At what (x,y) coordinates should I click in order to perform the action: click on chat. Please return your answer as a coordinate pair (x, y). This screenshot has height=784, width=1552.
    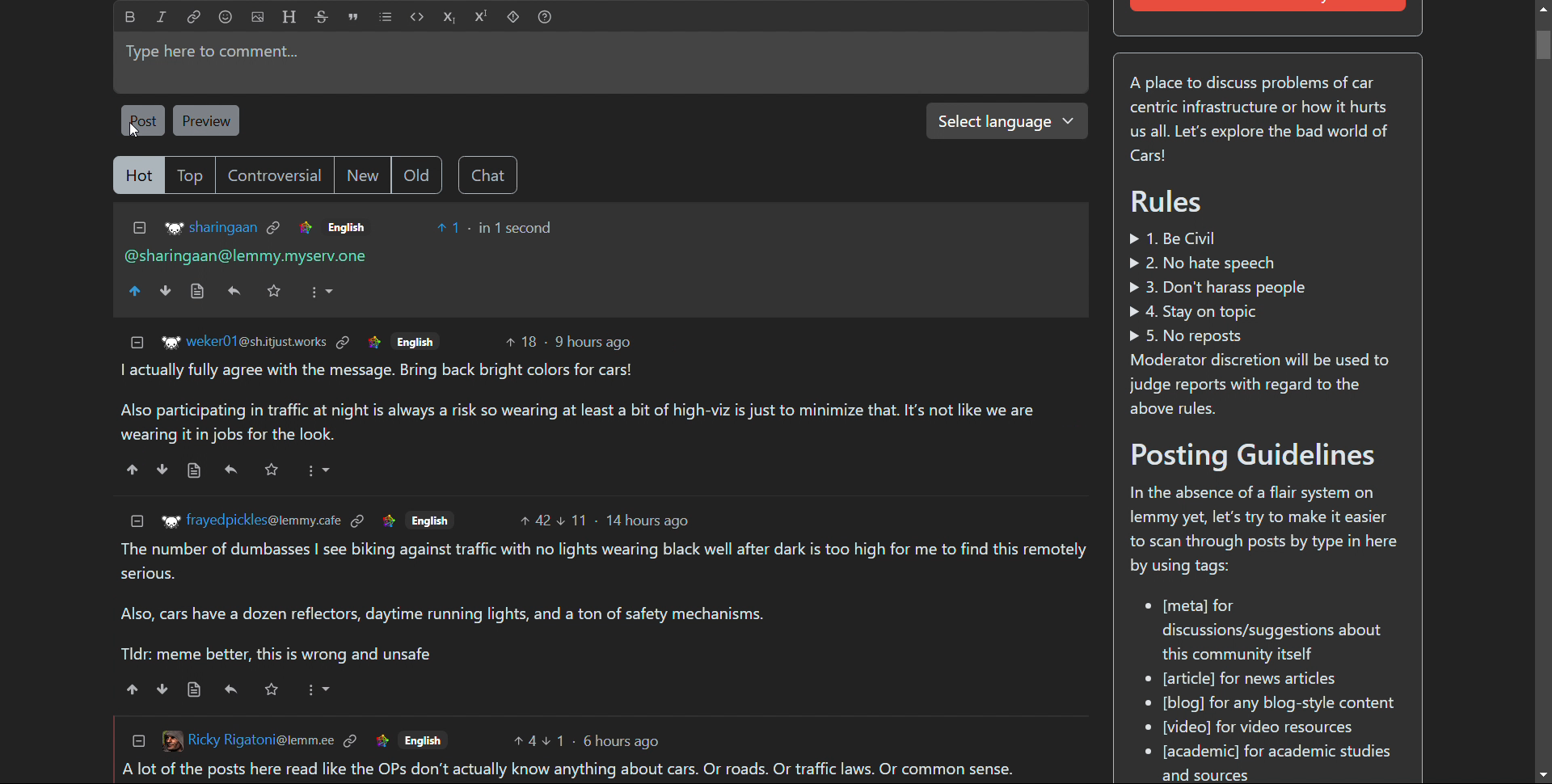
    Looking at the image, I should click on (487, 175).